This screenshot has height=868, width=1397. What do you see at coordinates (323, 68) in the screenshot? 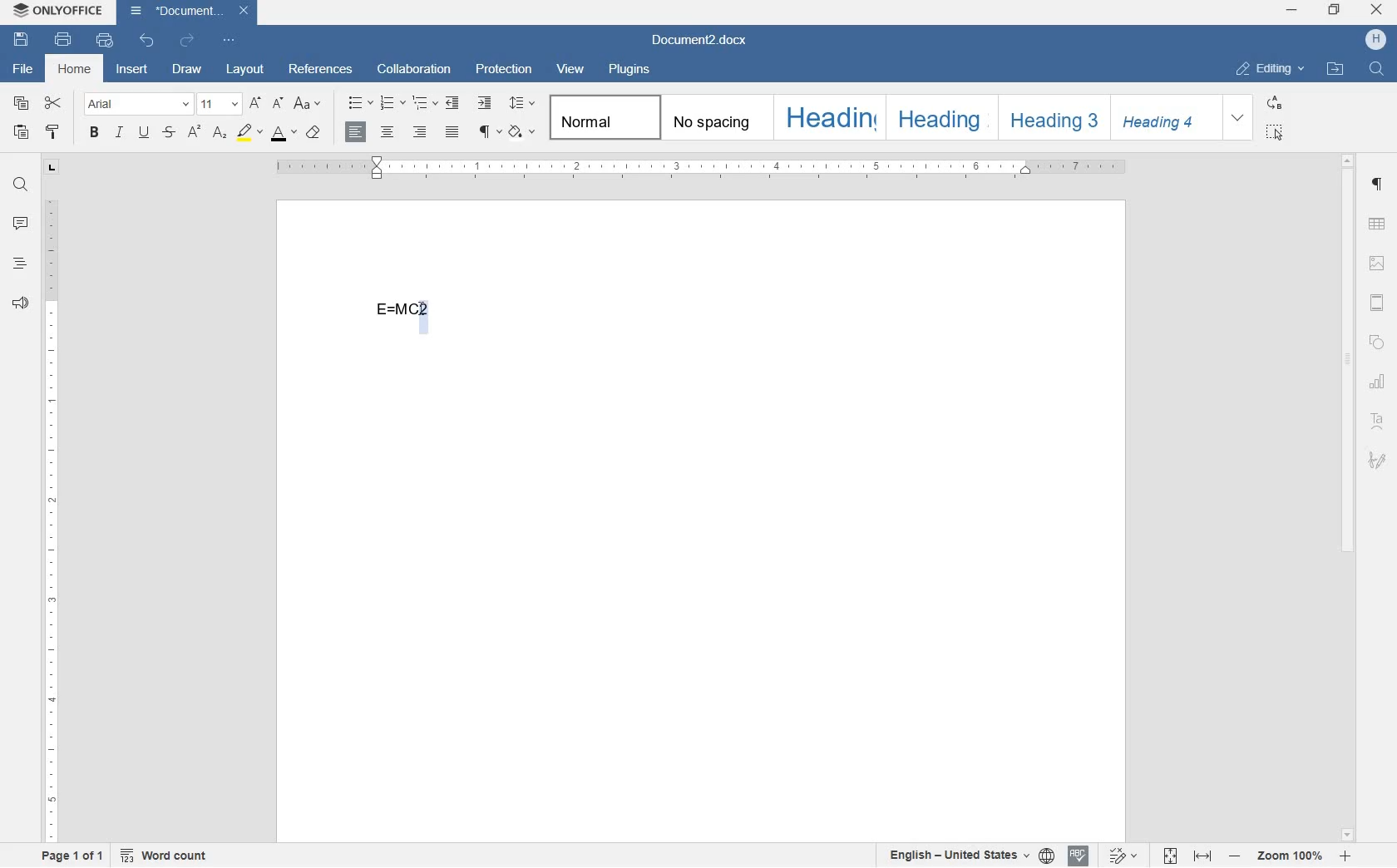
I see `references` at bounding box center [323, 68].